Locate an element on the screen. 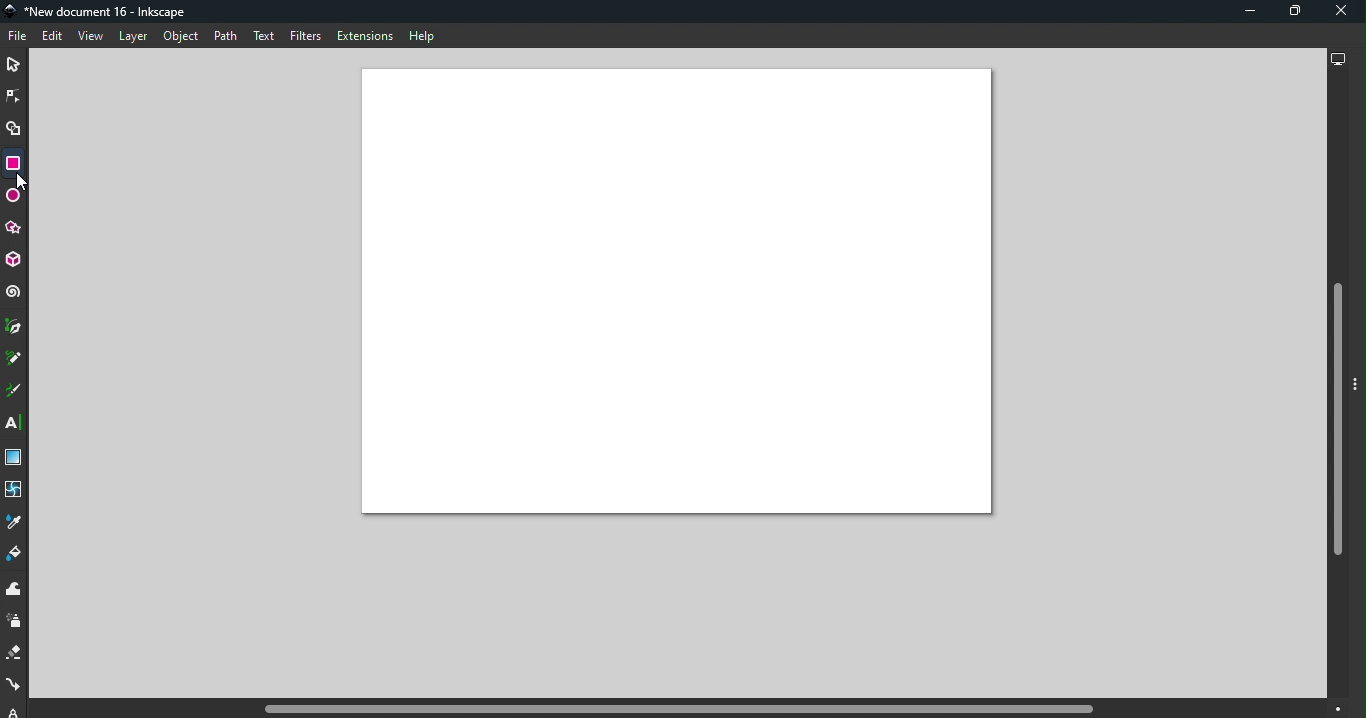  View is located at coordinates (89, 36).